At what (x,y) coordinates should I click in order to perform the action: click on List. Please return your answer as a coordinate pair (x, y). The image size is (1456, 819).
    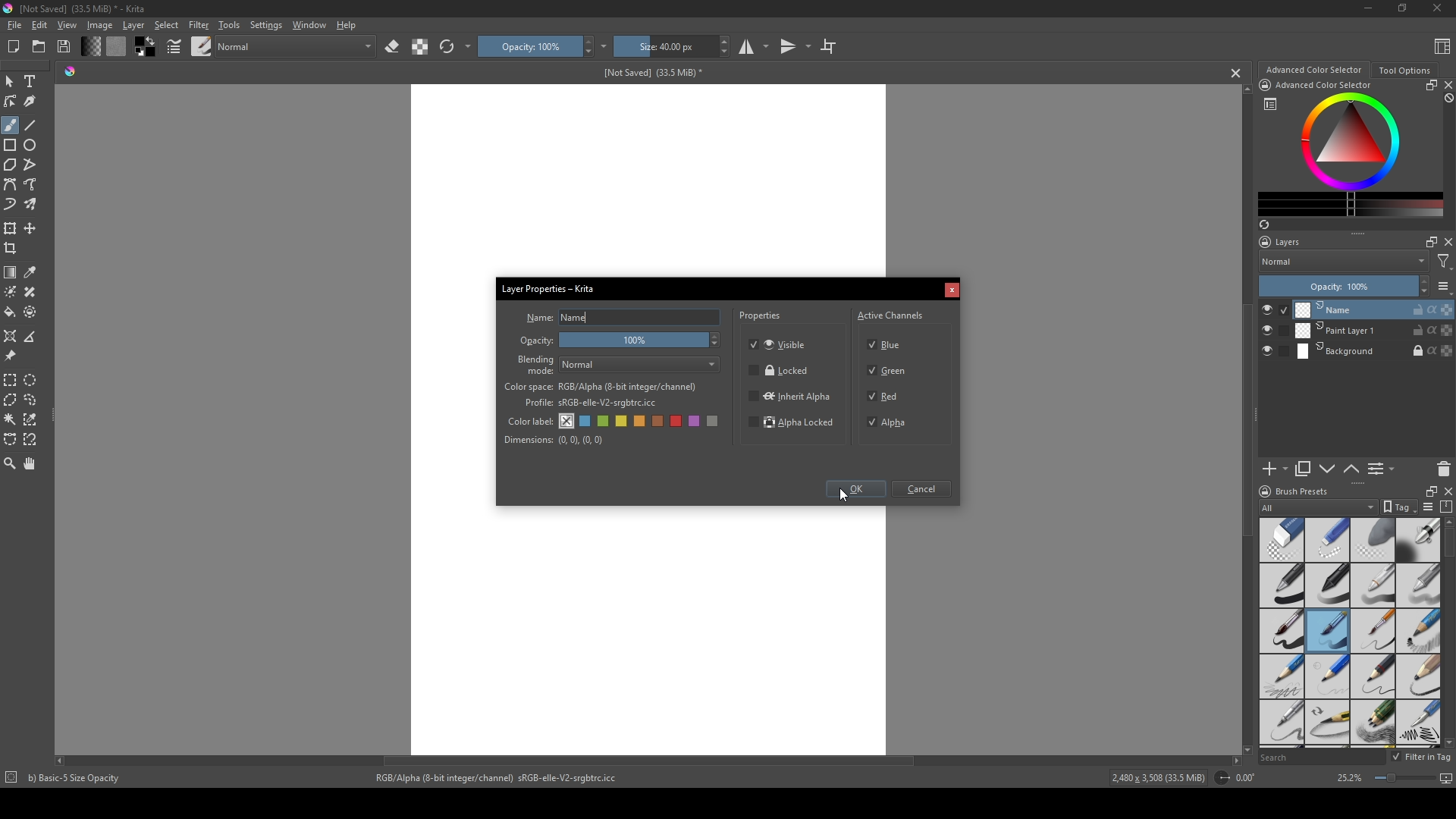
    Looking at the image, I should click on (1384, 469).